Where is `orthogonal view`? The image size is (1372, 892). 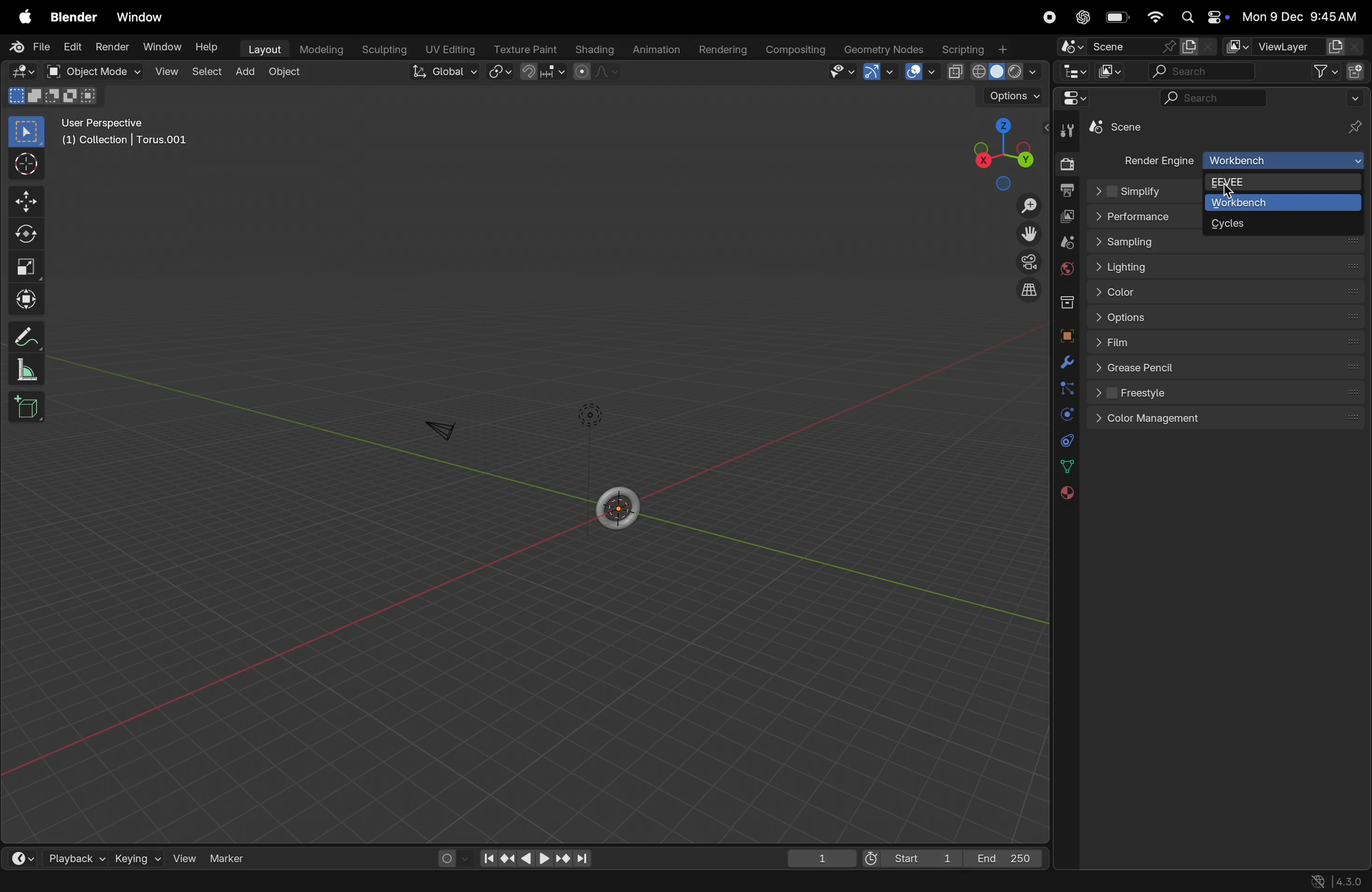
orthogonal view is located at coordinates (1032, 294).